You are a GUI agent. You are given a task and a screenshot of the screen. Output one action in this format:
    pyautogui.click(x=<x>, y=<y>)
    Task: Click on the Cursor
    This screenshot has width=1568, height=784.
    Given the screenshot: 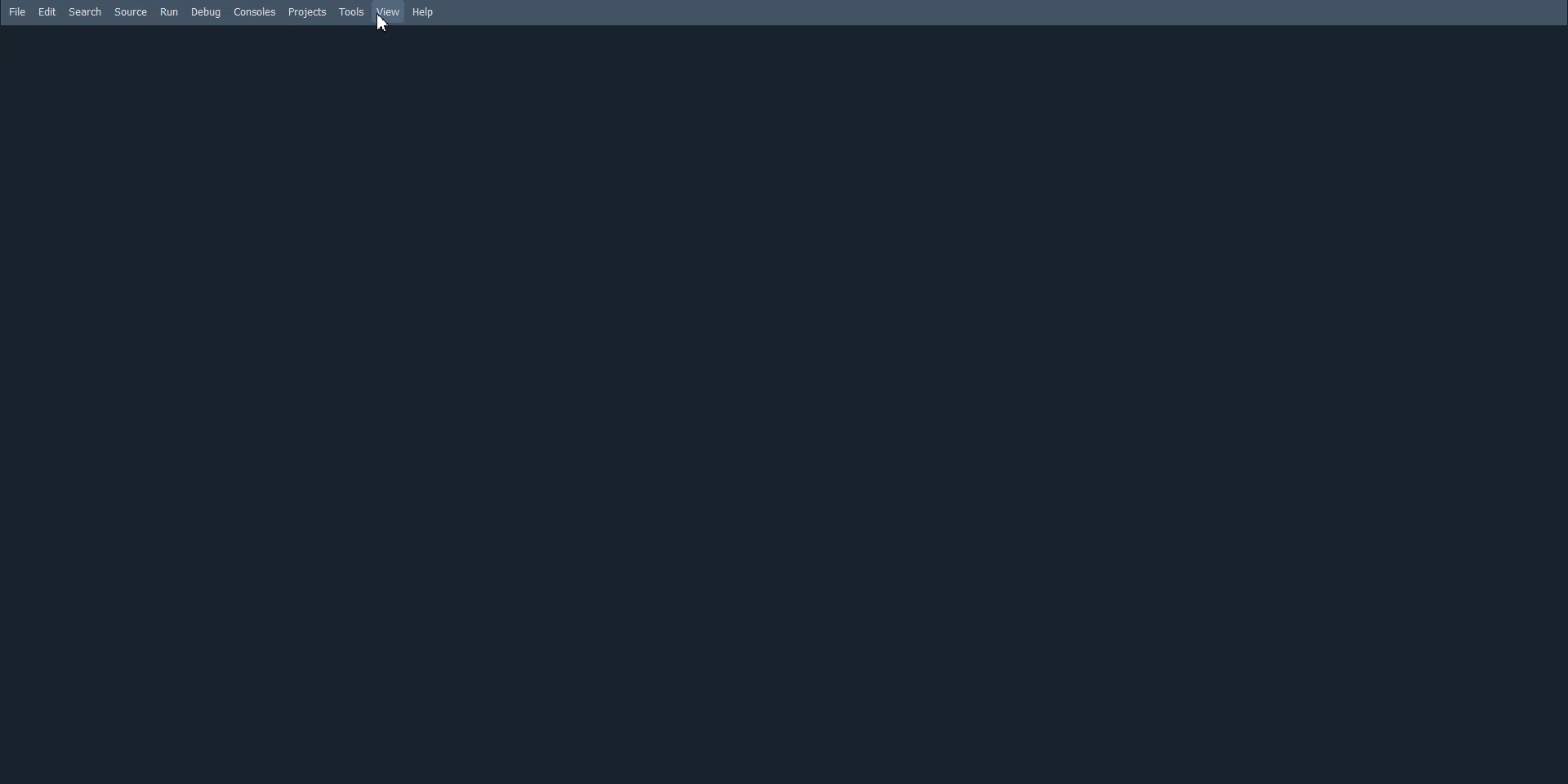 What is the action you would take?
    pyautogui.click(x=381, y=24)
    